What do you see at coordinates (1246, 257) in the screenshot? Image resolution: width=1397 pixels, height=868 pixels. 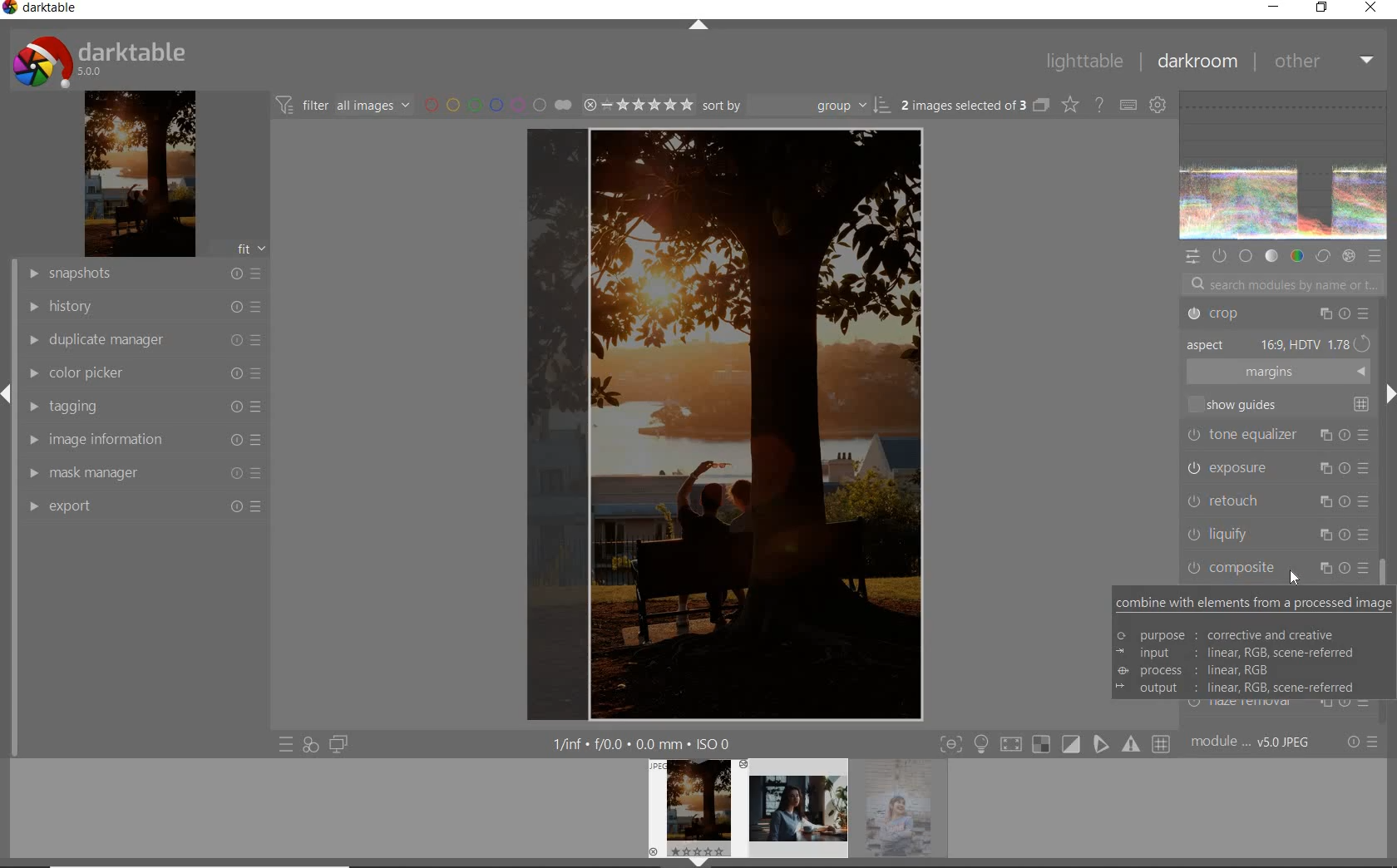 I see `base` at bounding box center [1246, 257].